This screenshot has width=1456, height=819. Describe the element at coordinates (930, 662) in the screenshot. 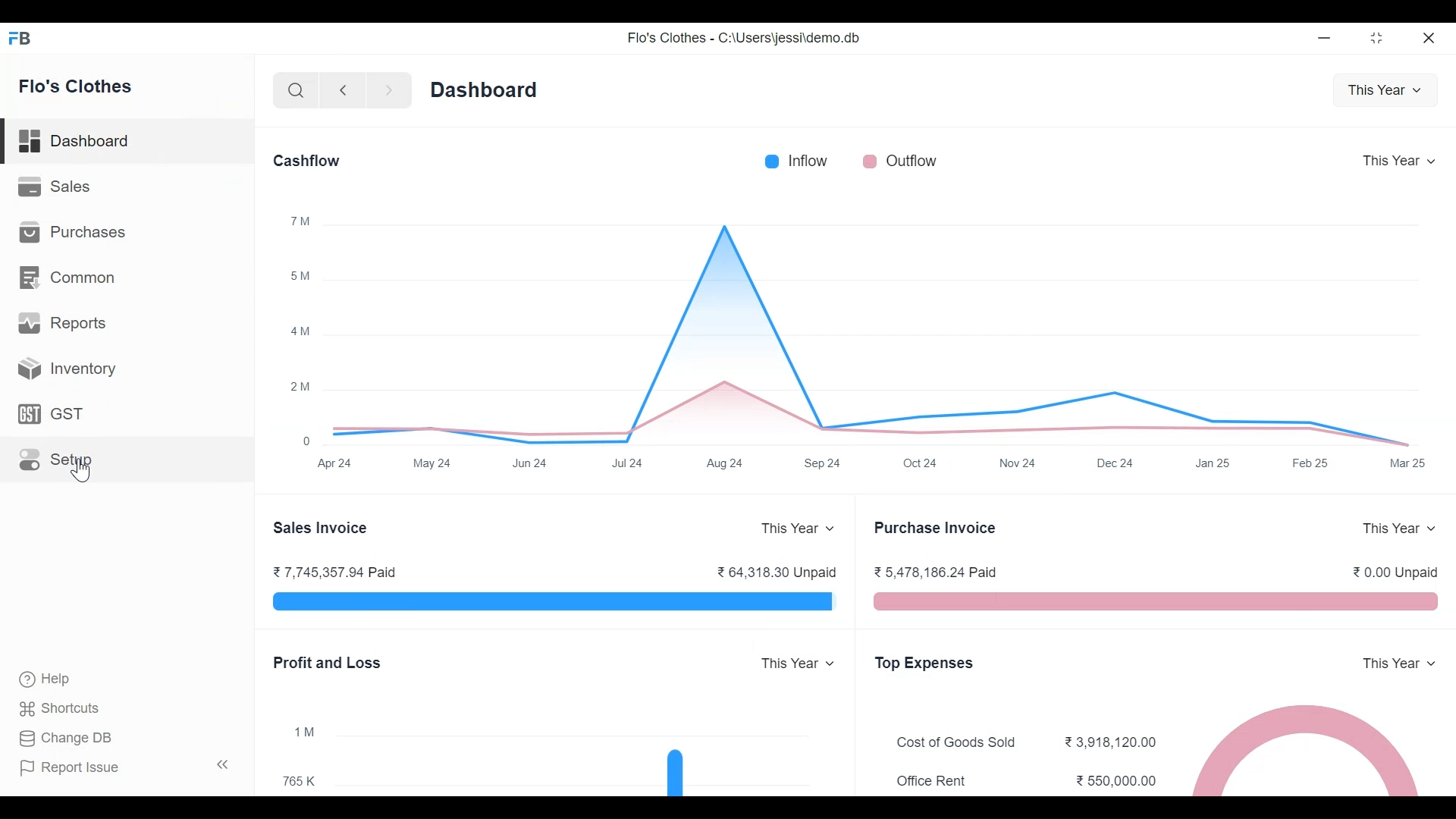

I see `Top Expenses` at that location.